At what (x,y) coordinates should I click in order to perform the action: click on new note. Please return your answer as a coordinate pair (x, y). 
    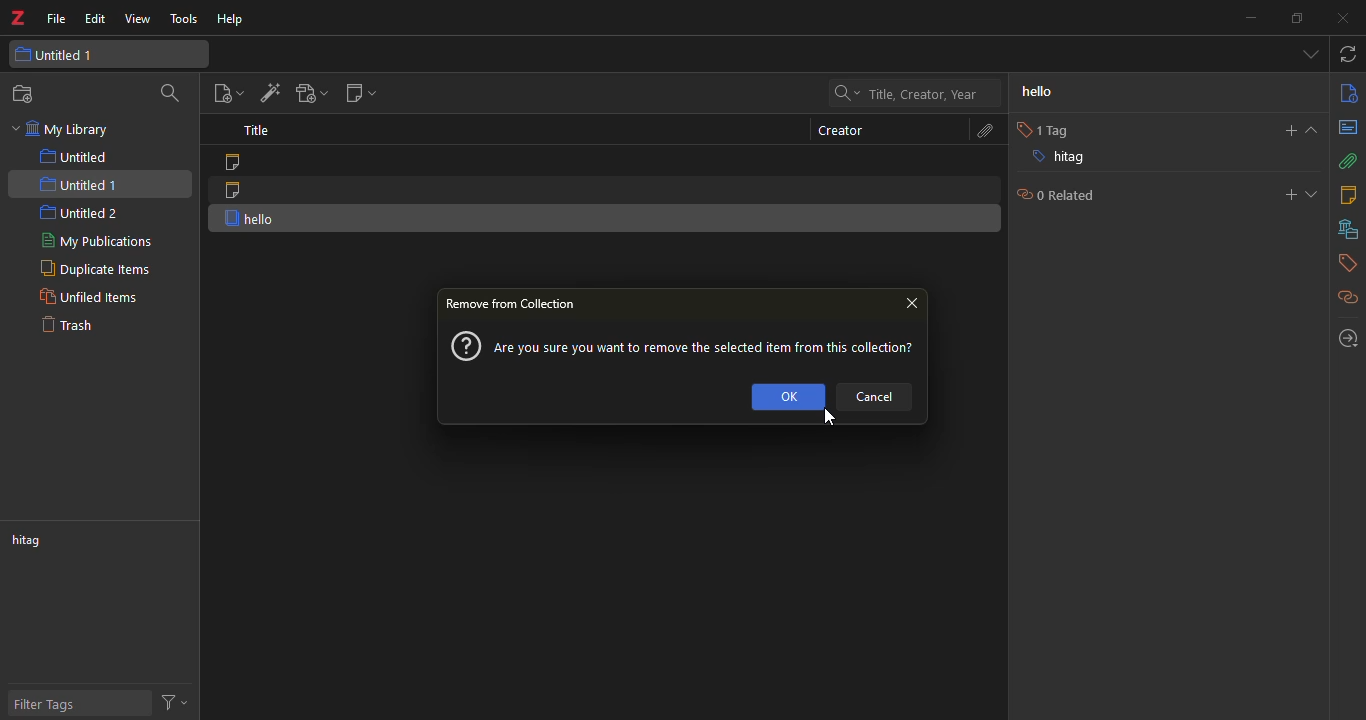
    Looking at the image, I should click on (358, 93).